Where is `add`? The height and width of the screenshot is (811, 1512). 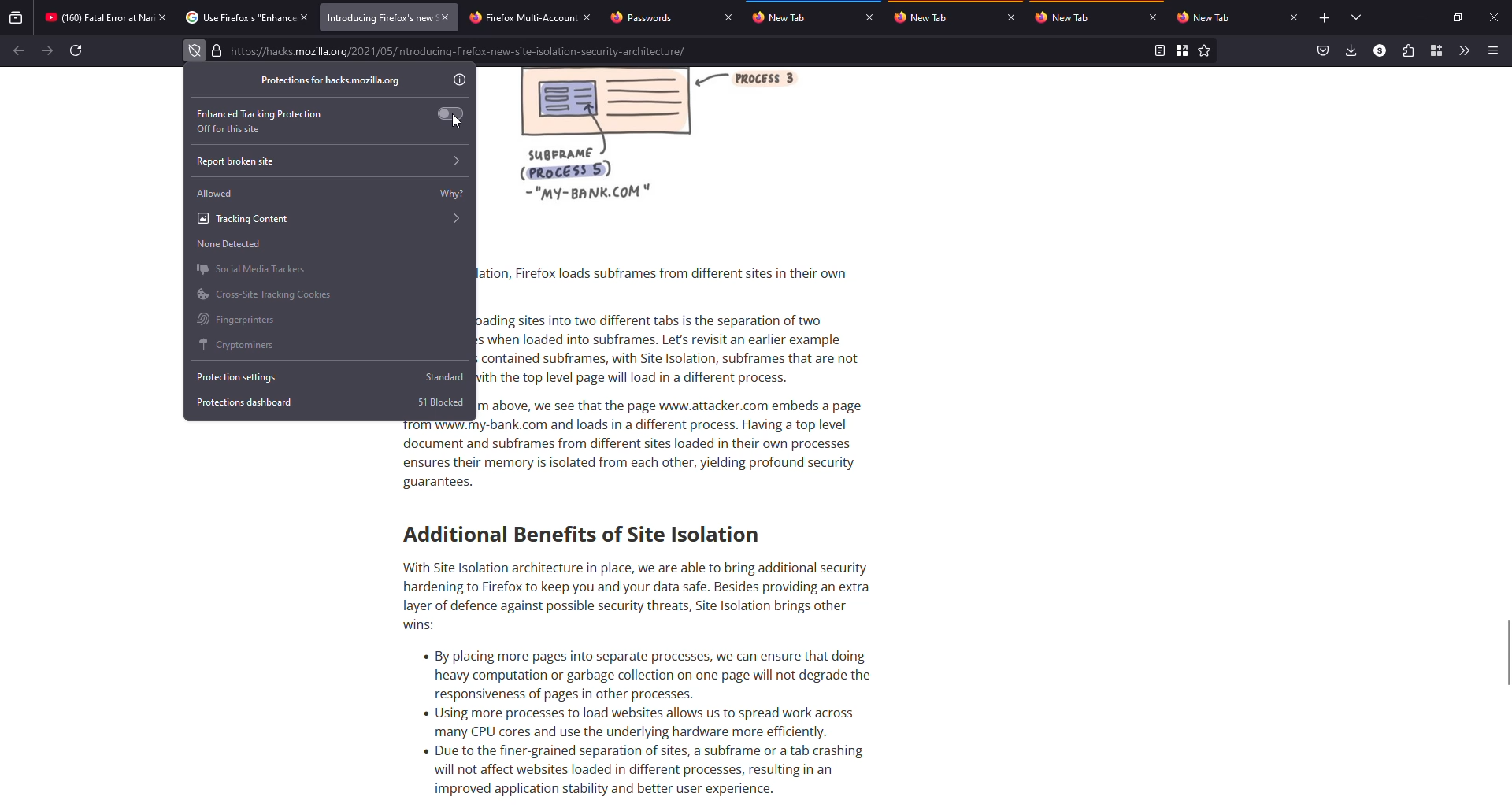
add is located at coordinates (1325, 18).